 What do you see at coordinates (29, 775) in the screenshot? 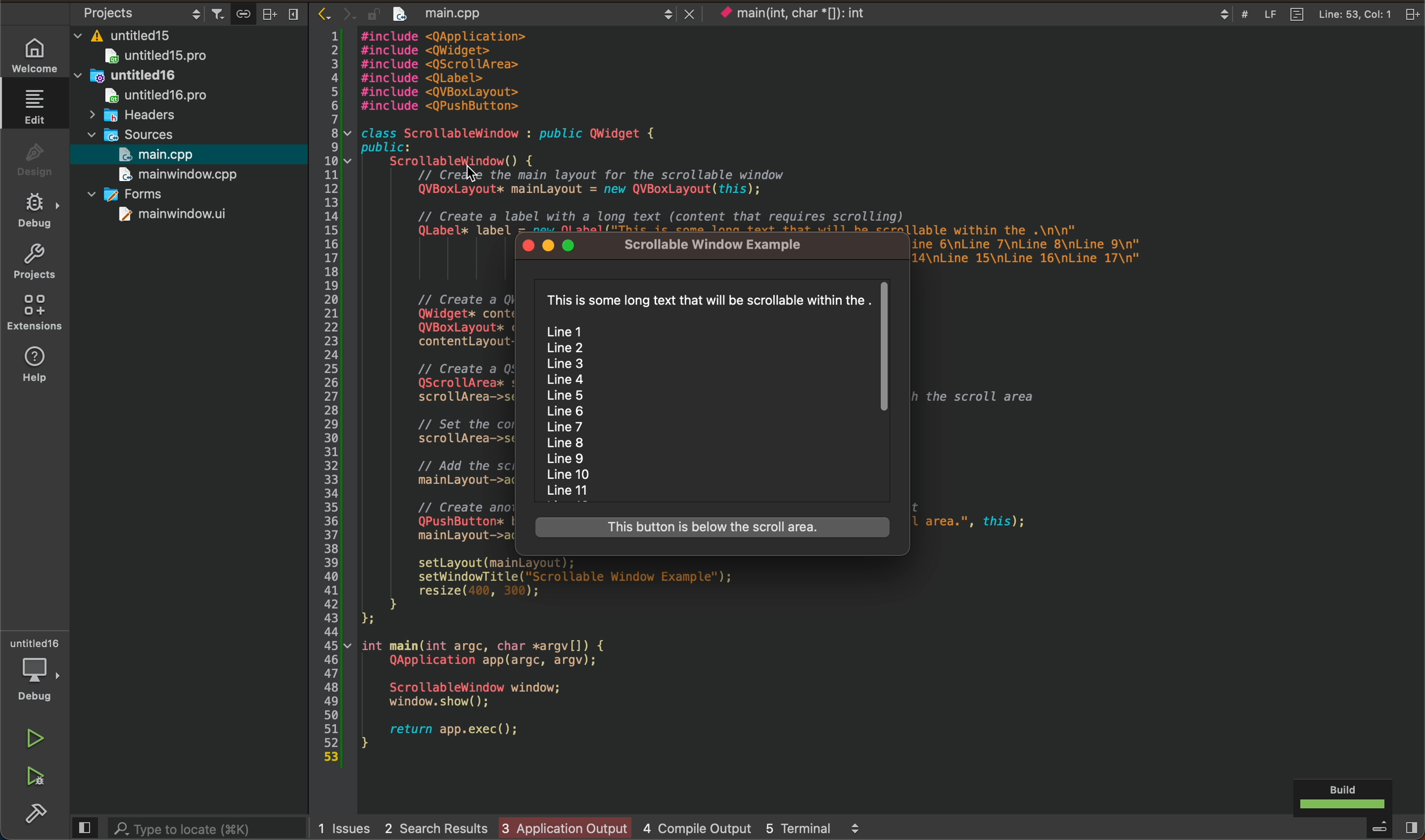
I see `run and debug` at bounding box center [29, 775].